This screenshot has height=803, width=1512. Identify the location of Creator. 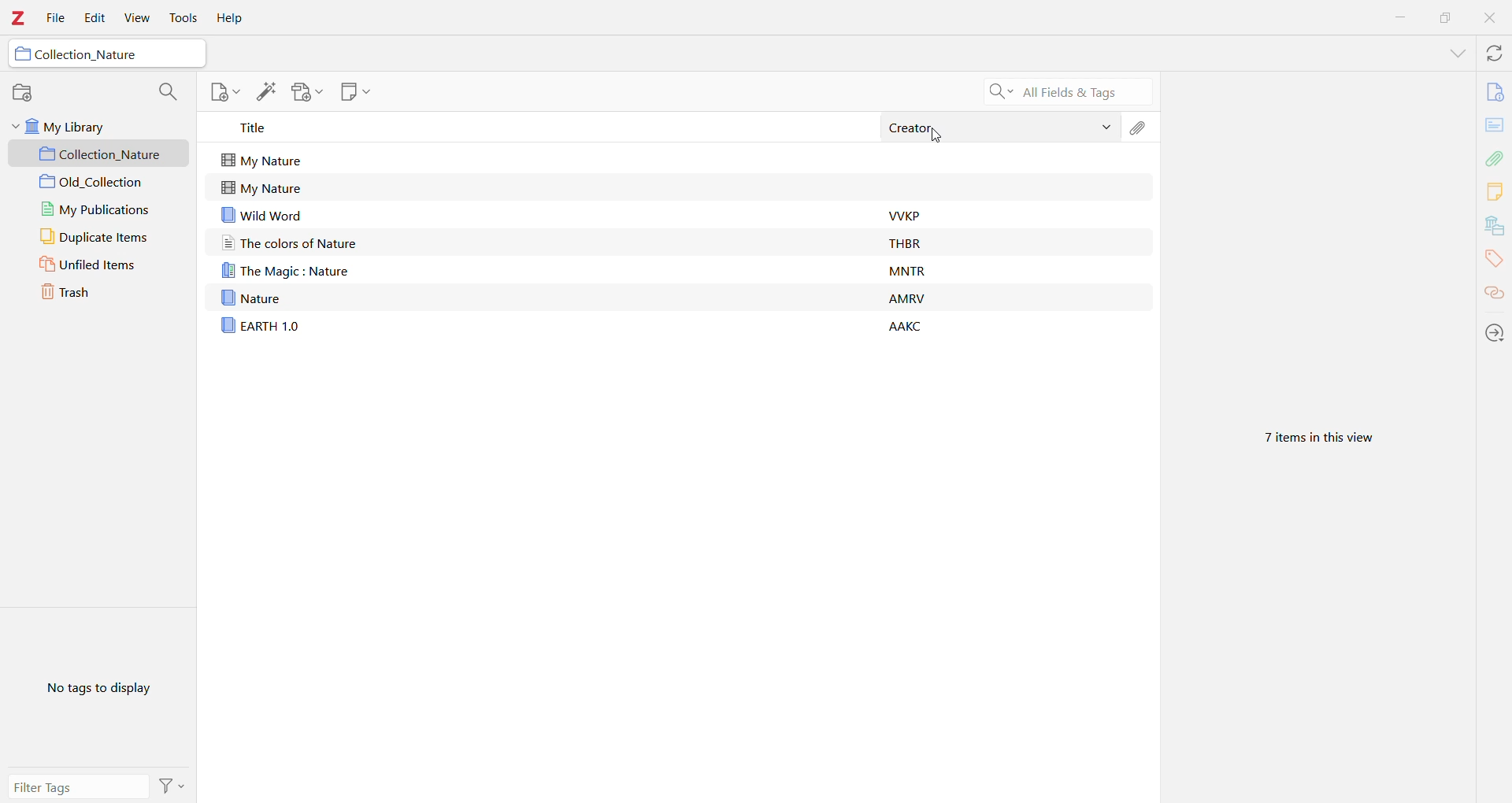
(1002, 128).